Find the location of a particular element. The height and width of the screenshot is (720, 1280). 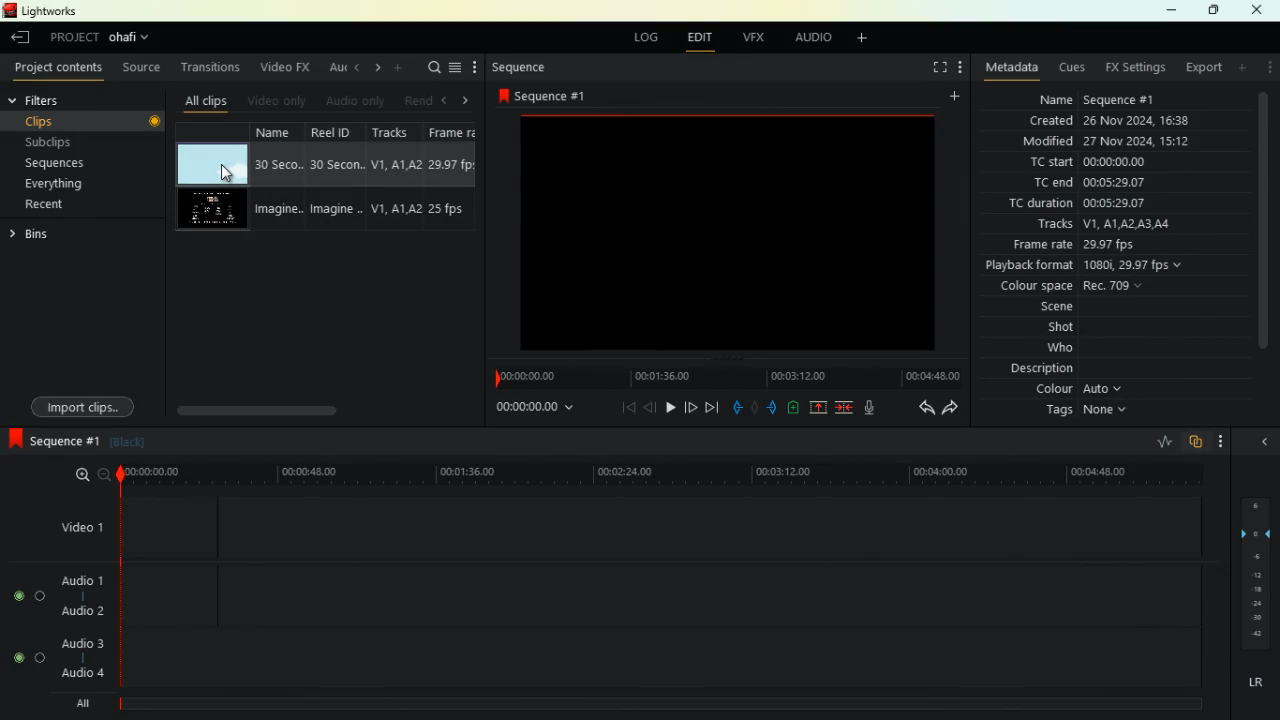

tracks is located at coordinates (1098, 226).